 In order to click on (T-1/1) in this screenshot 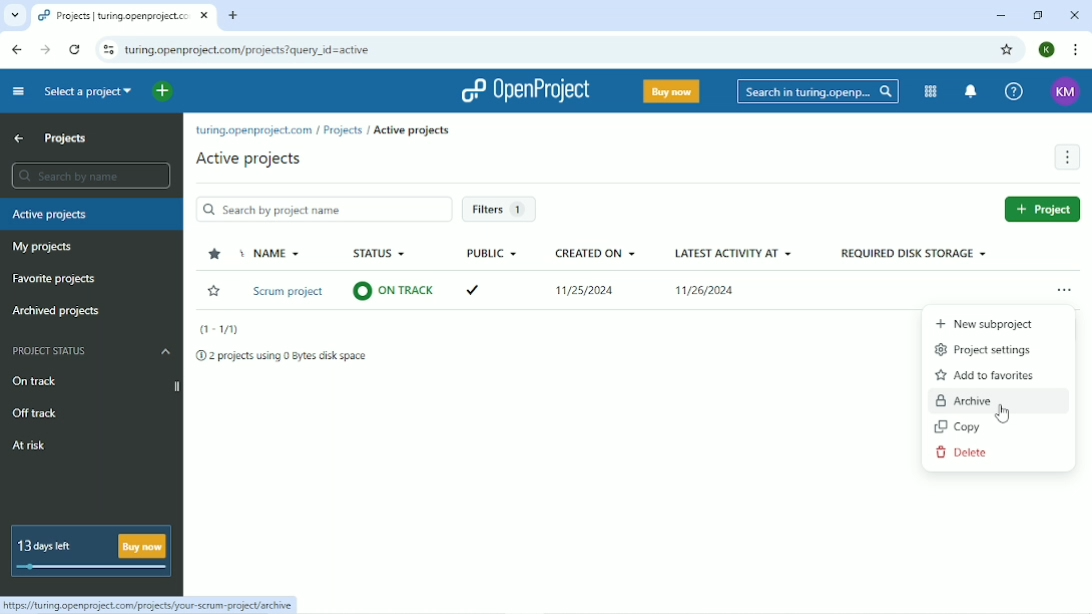, I will do `click(219, 330)`.